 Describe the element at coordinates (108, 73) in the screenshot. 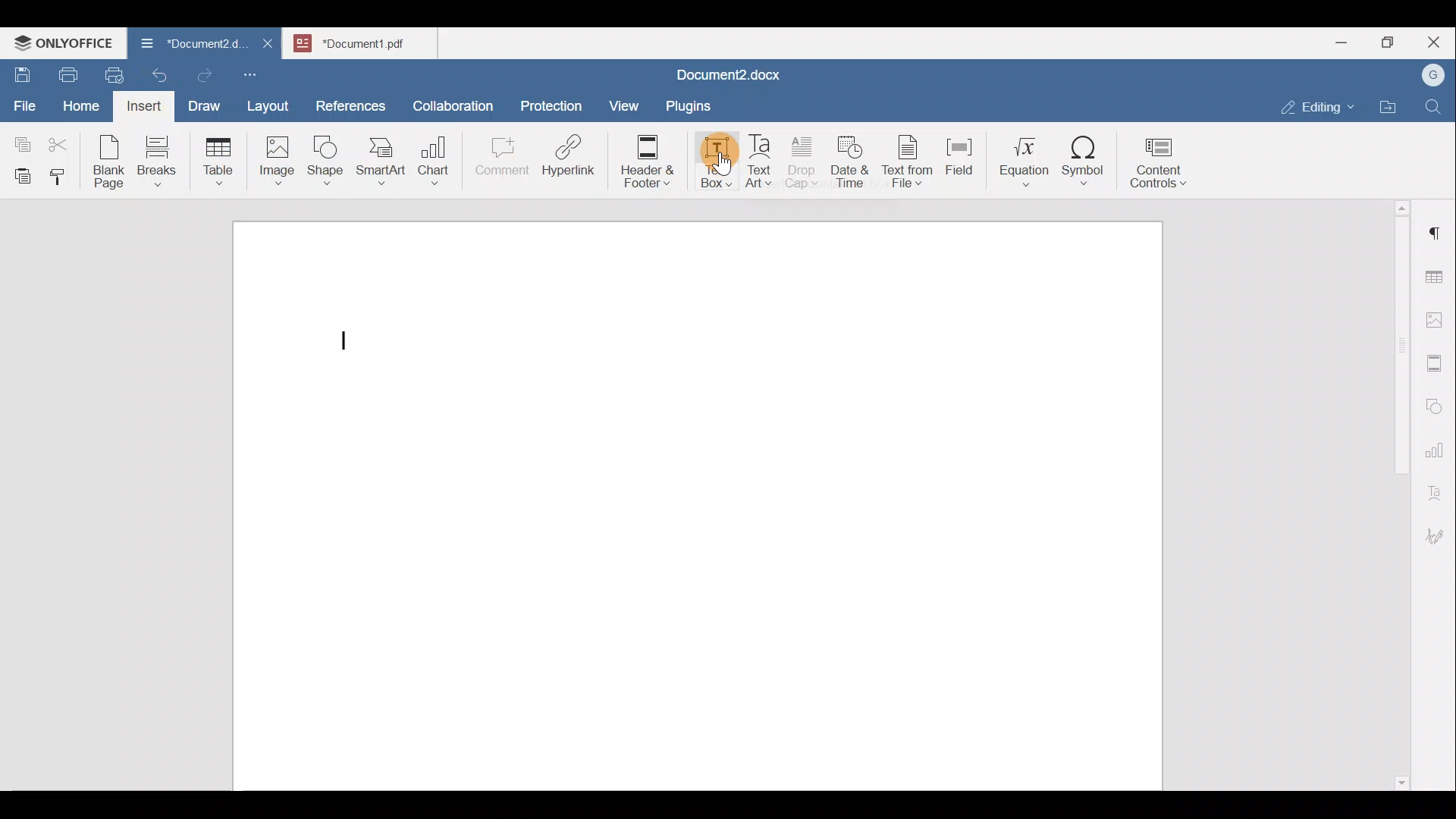

I see `Quick print` at that location.